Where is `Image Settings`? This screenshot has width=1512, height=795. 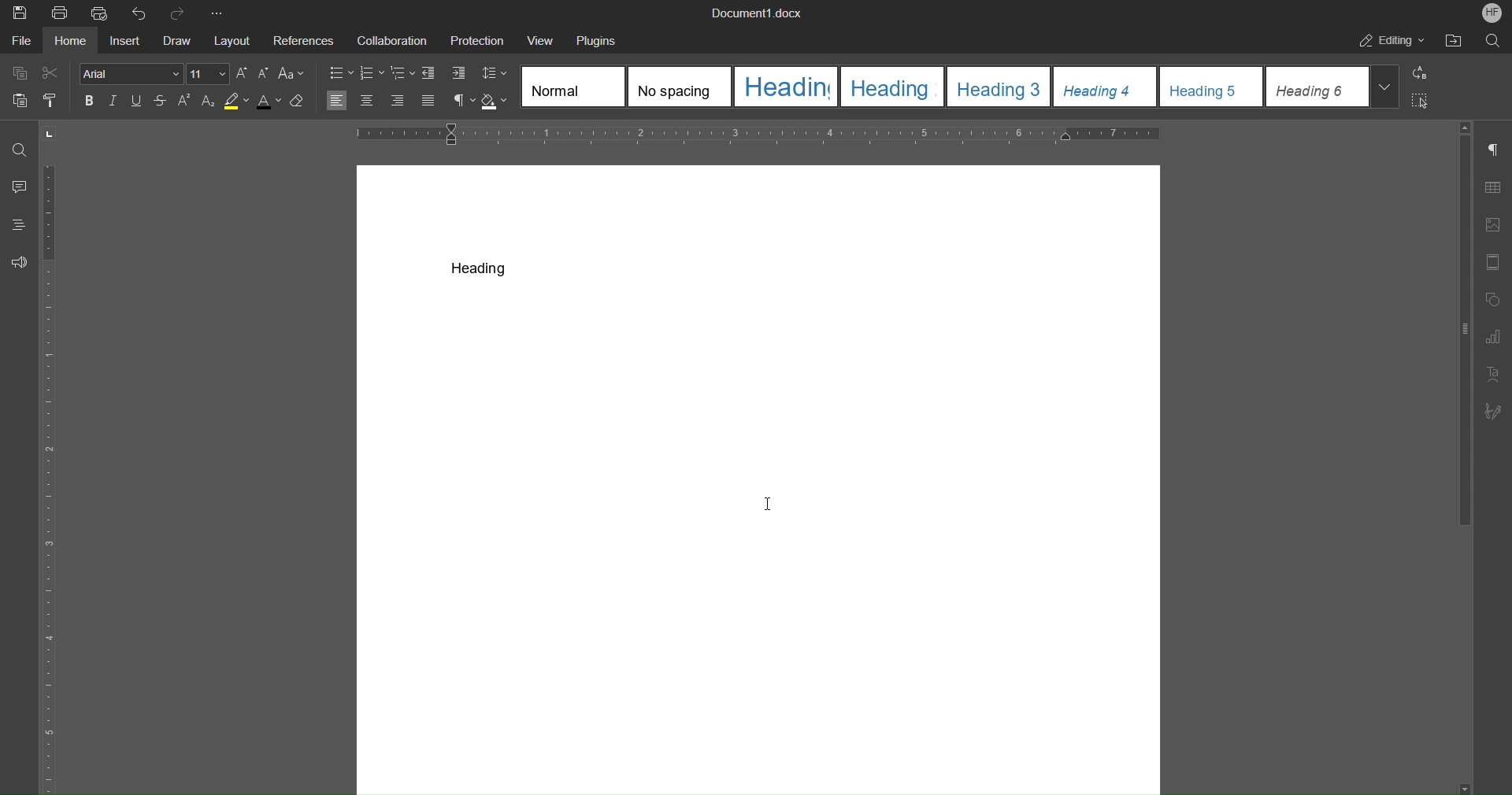
Image Settings is located at coordinates (1495, 223).